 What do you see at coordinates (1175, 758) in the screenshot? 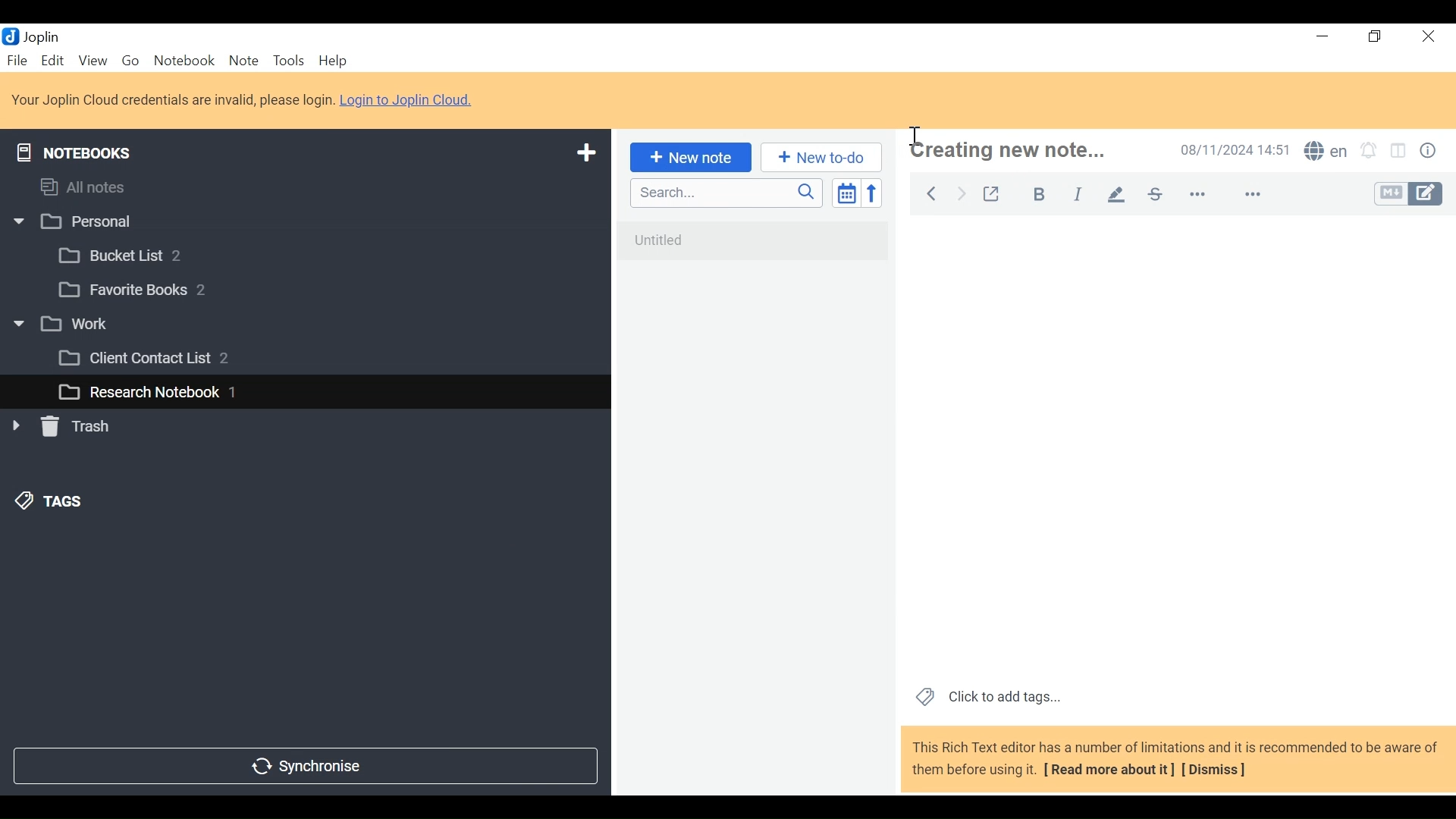
I see `This Rich Text editor has a number of limitations and it is recommended to be aware of
them before using it. [ Read more about it] [Dismiss]` at bounding box center [1175, 758].